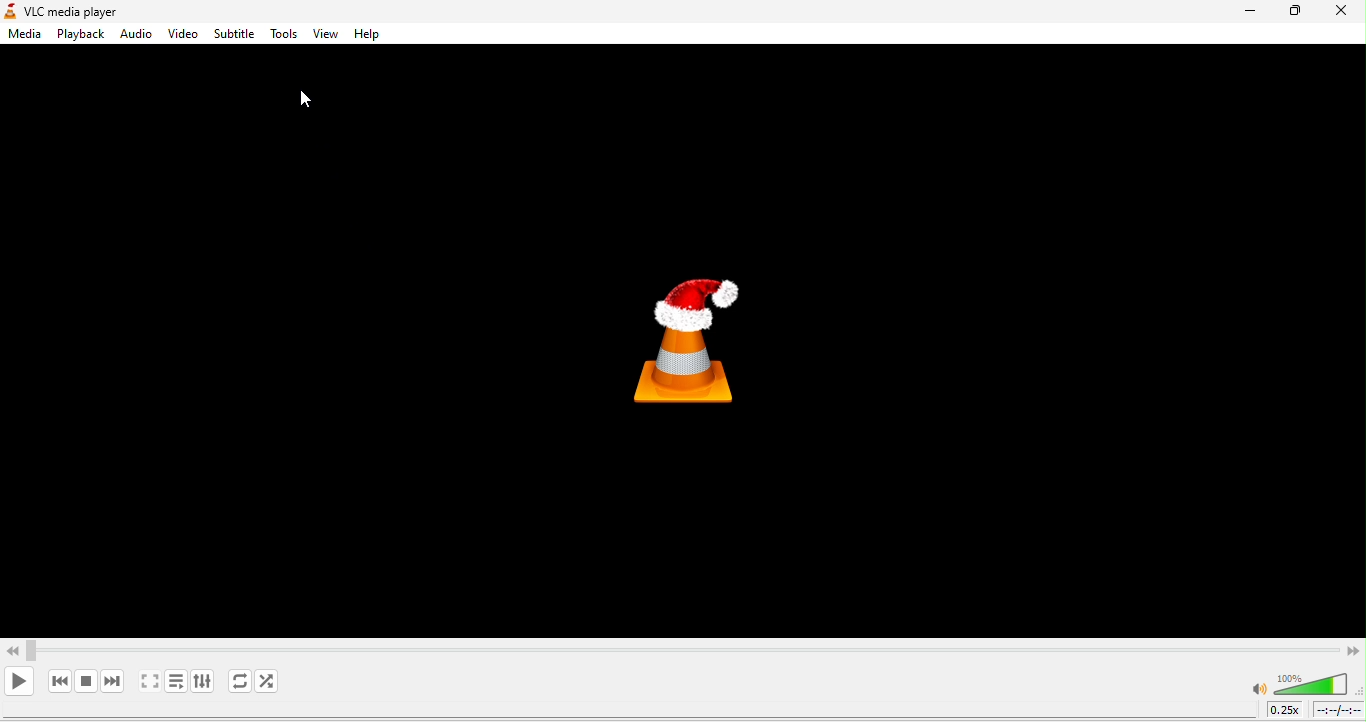  I want to click on toggle playlist, so click(175, 684).